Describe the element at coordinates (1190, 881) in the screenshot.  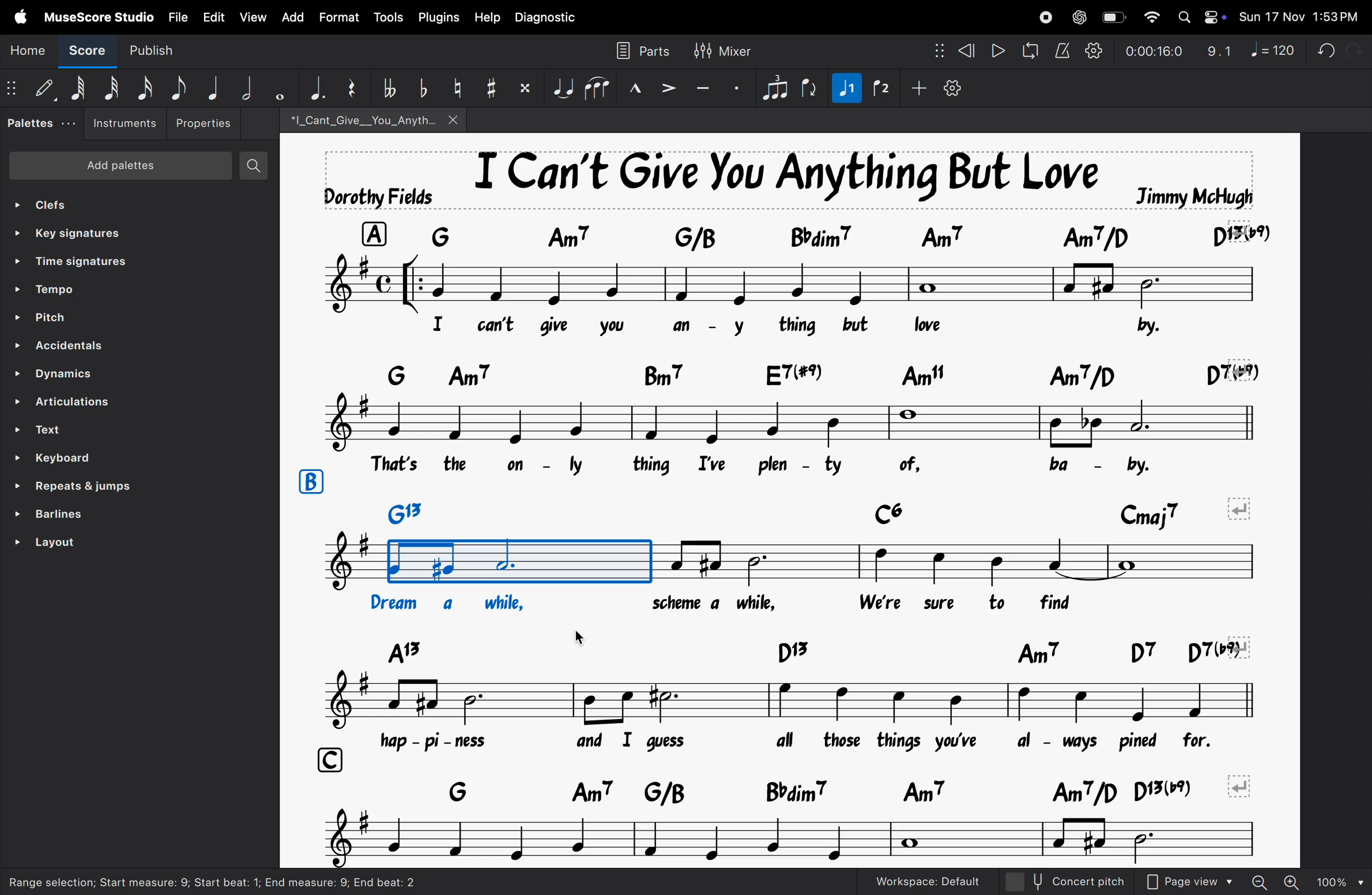
I see `Page view` at that location.